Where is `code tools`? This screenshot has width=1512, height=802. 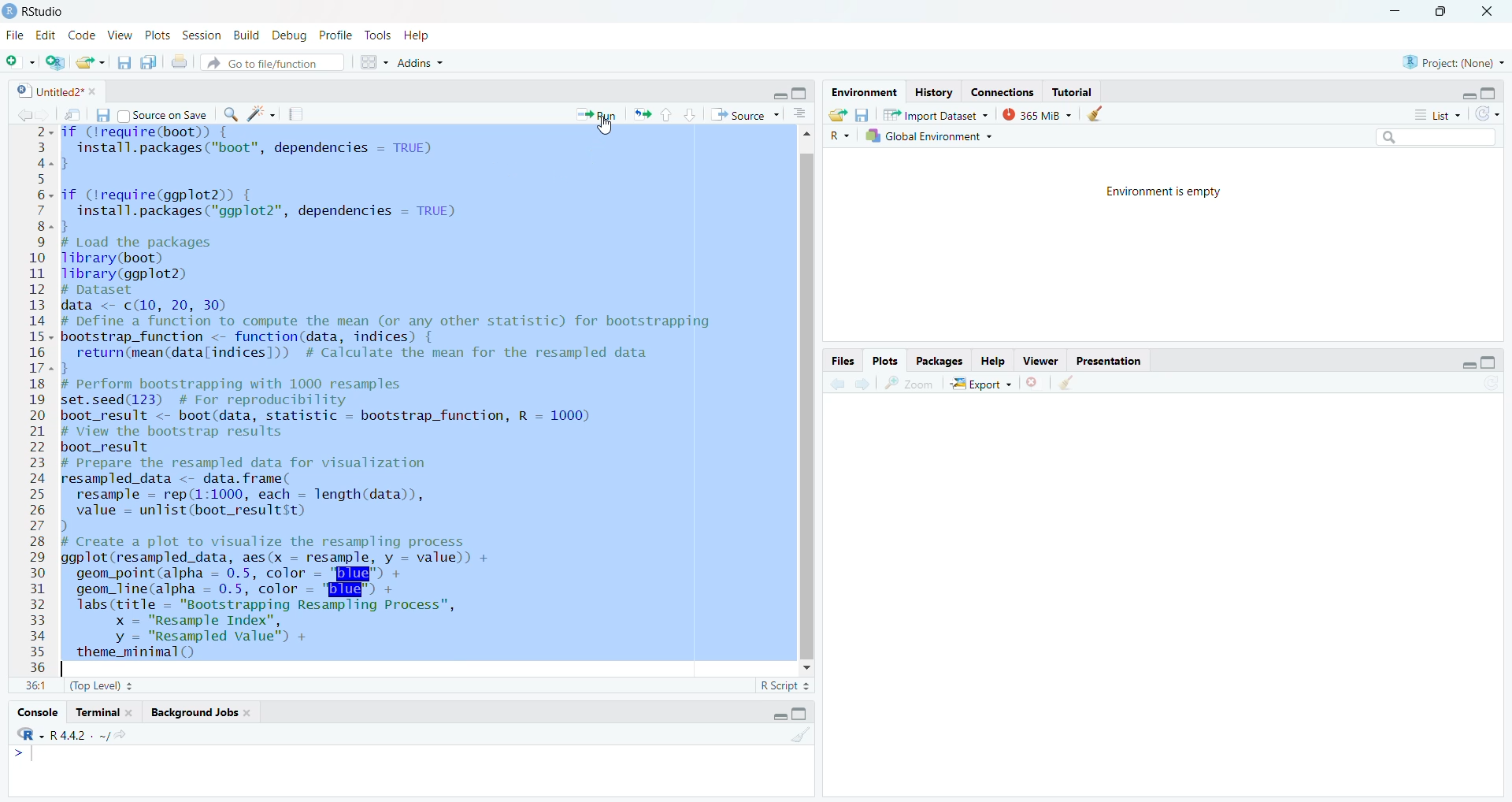 code tools is located at coordinates (262, 113).